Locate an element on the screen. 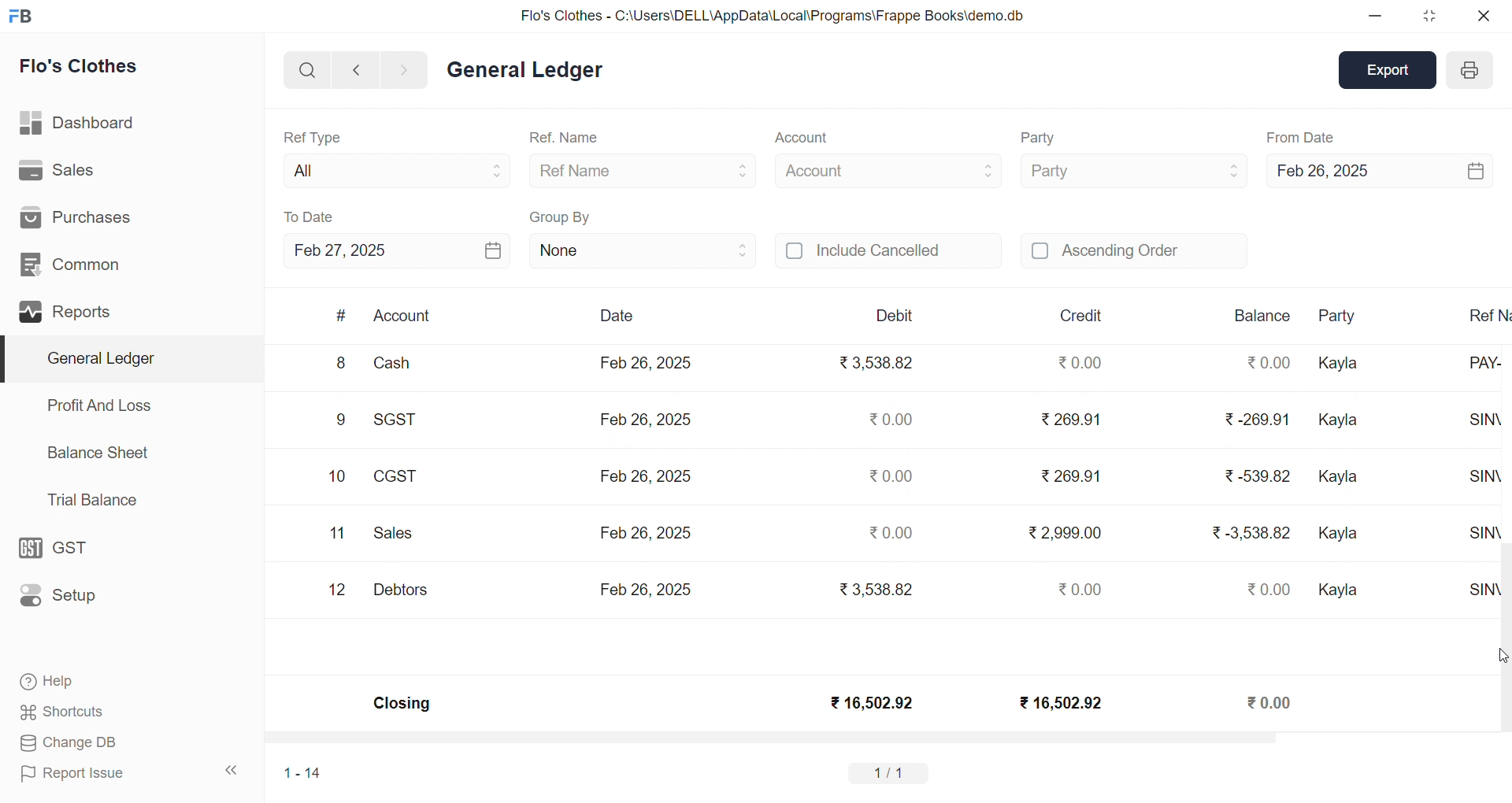  CGST is located at coordinates (398, 479).